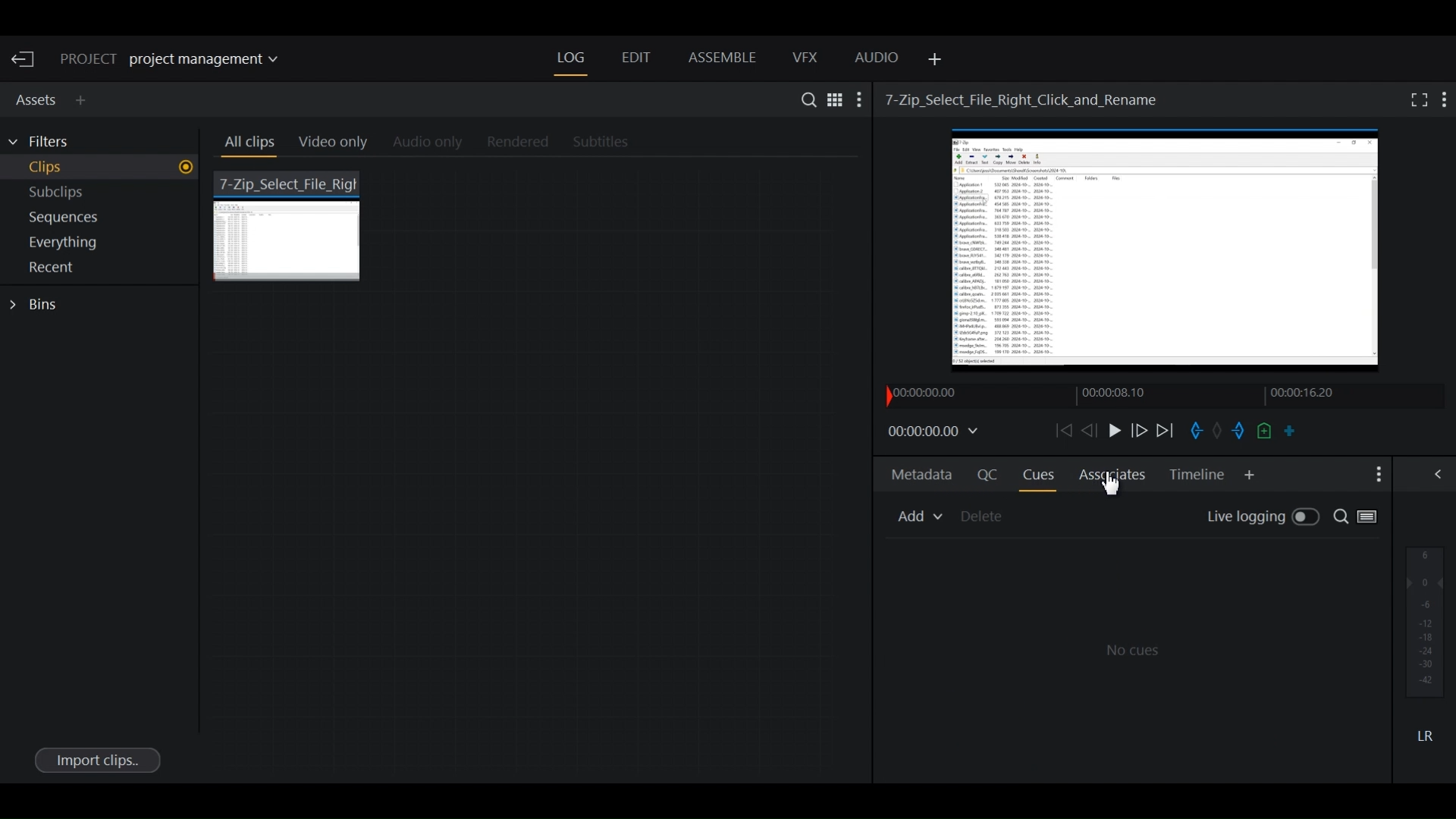 This screenshot has width=1456, height=819. What do you see at coordinates (1168, 254) in the screenshot?
I see `Media Viewer` at bounding box center [1168, 254].